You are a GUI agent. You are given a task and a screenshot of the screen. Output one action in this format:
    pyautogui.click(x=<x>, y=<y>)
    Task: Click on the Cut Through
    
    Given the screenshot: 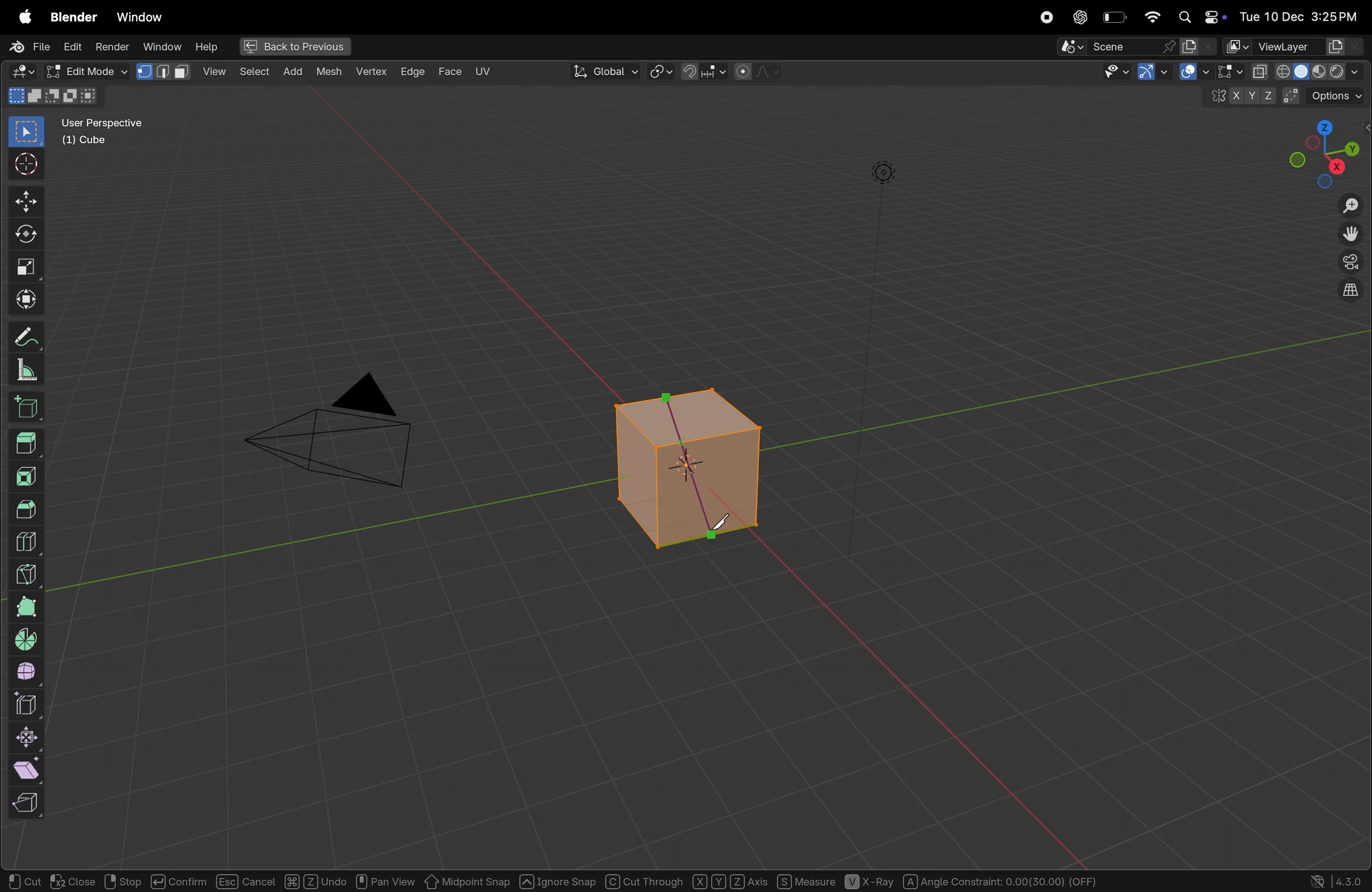 What is the action you would take?
    pyautogui.click(x=645, y=880)
    